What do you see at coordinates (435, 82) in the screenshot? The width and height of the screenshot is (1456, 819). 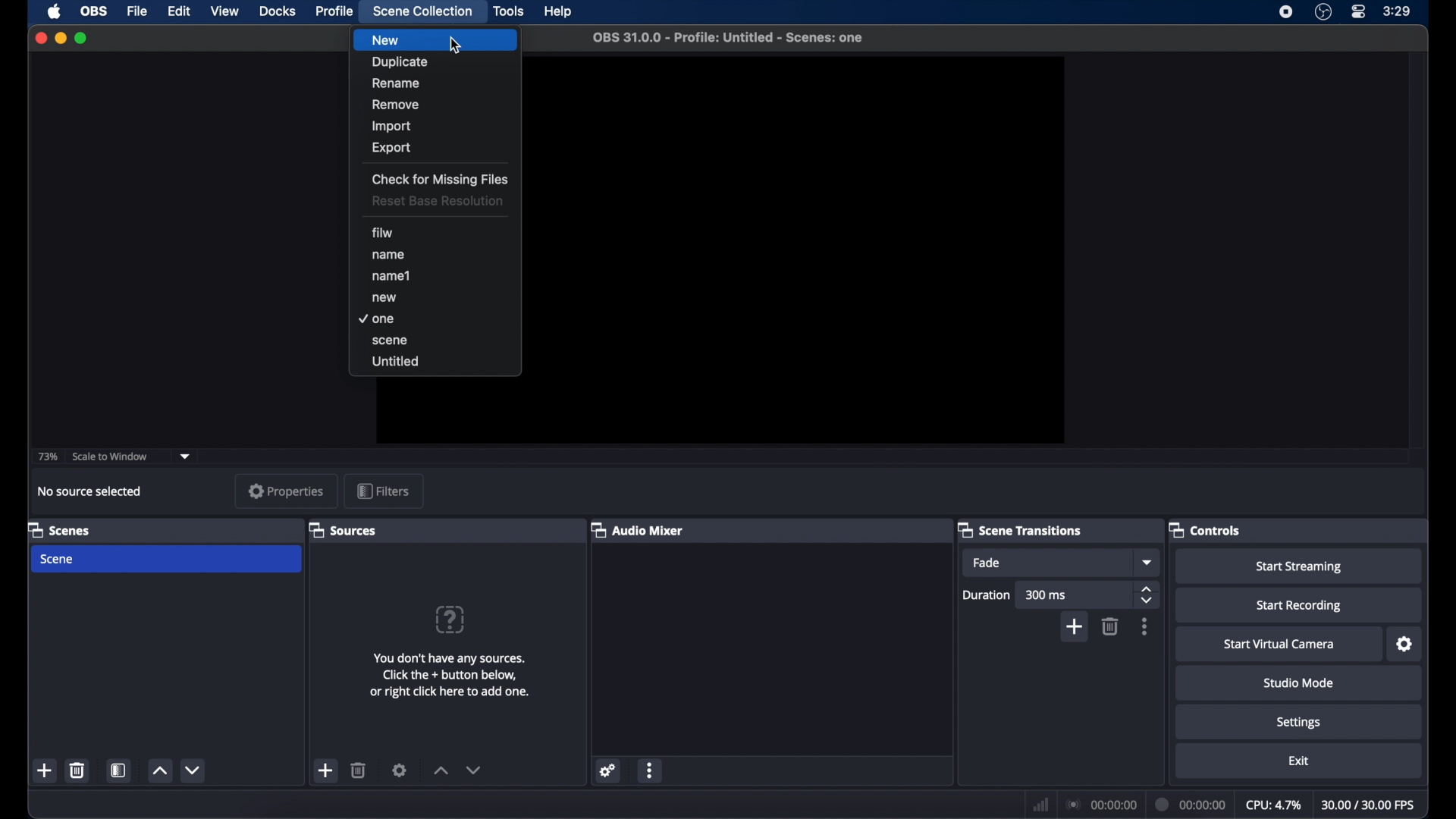 I see `Rename` at bounding box center [435, 82].